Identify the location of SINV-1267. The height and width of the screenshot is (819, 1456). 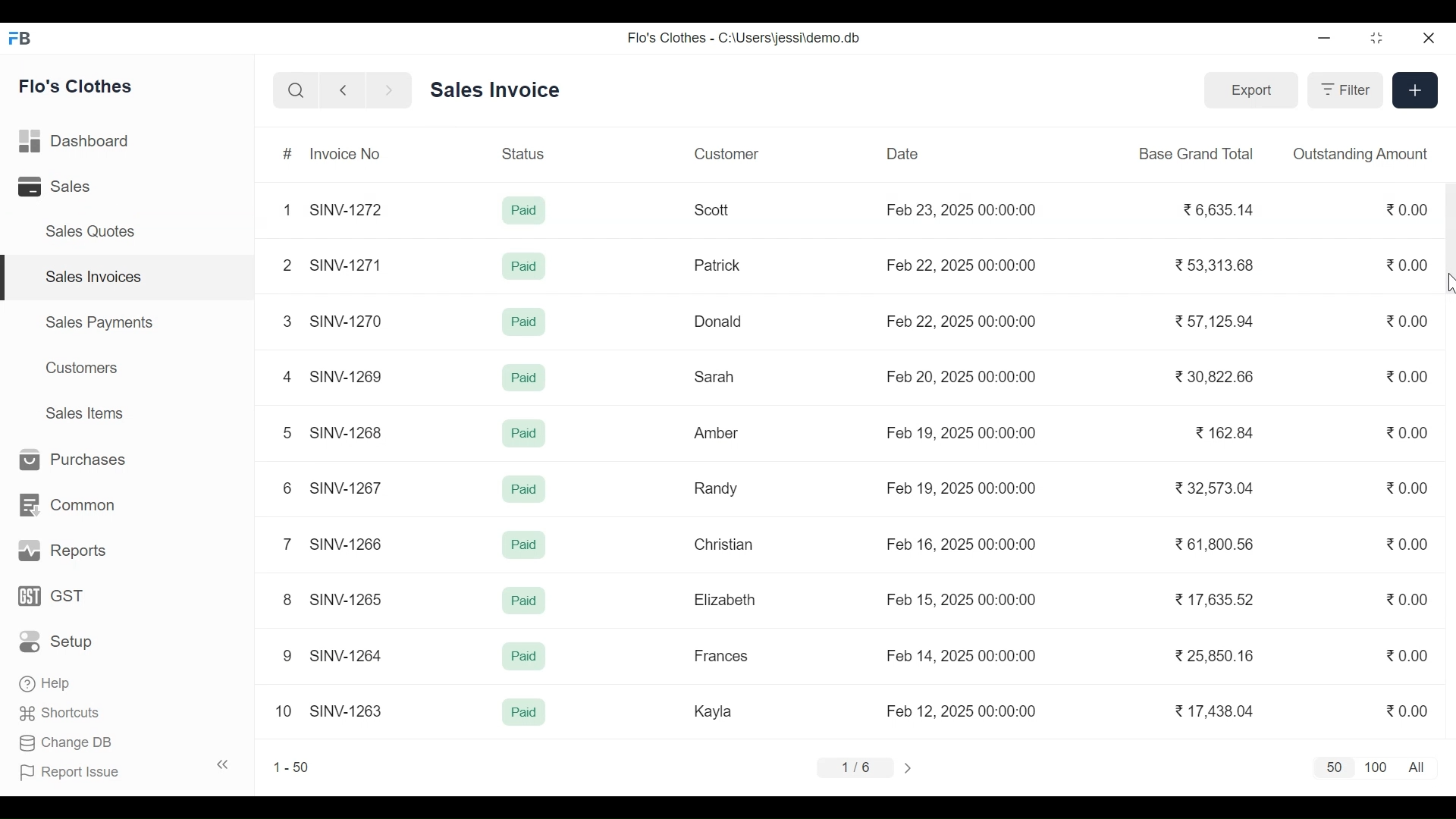
(348, 486).